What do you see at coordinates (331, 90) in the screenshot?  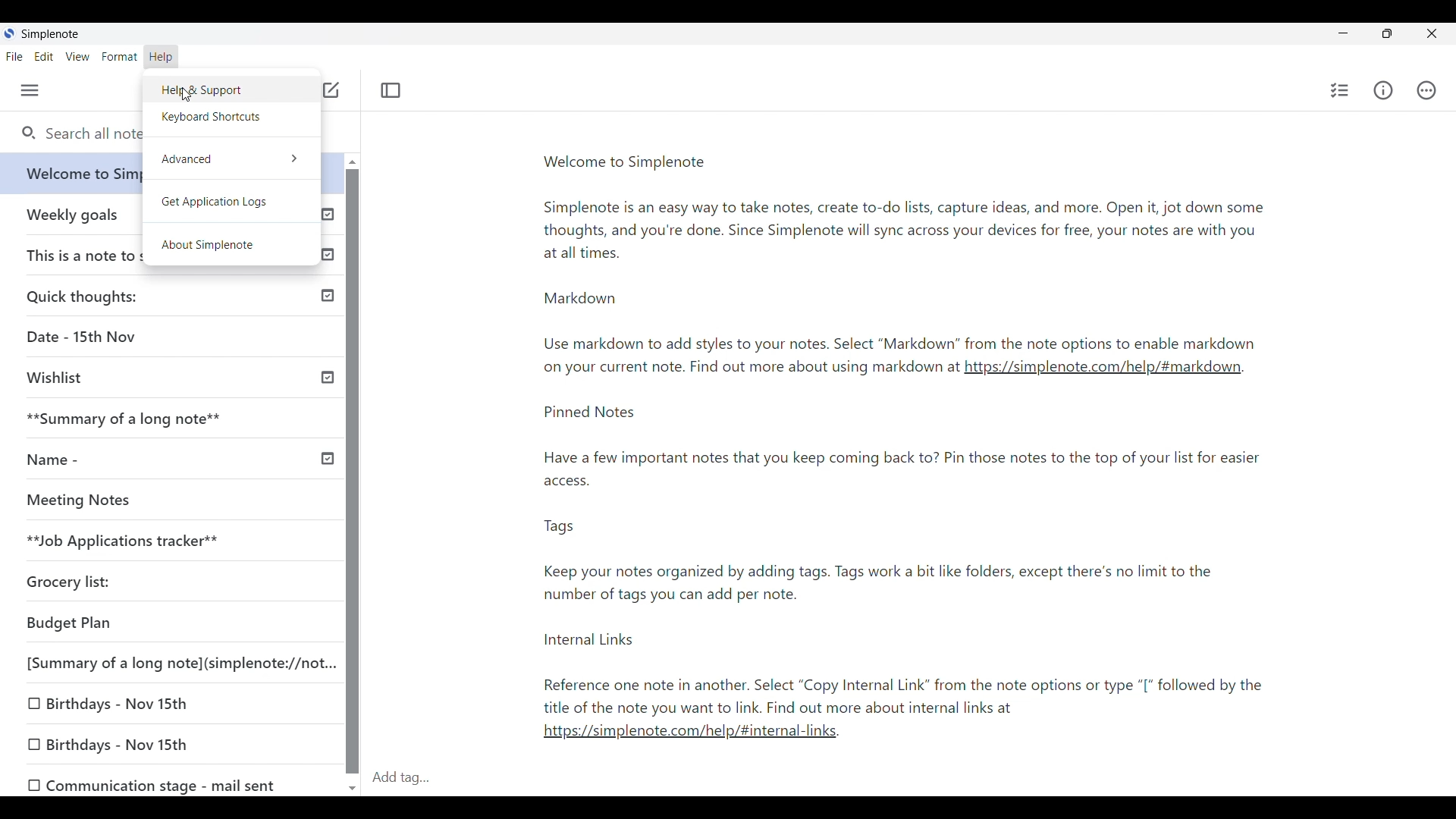 I see `Click to add note` at bounding box center [331, 90].